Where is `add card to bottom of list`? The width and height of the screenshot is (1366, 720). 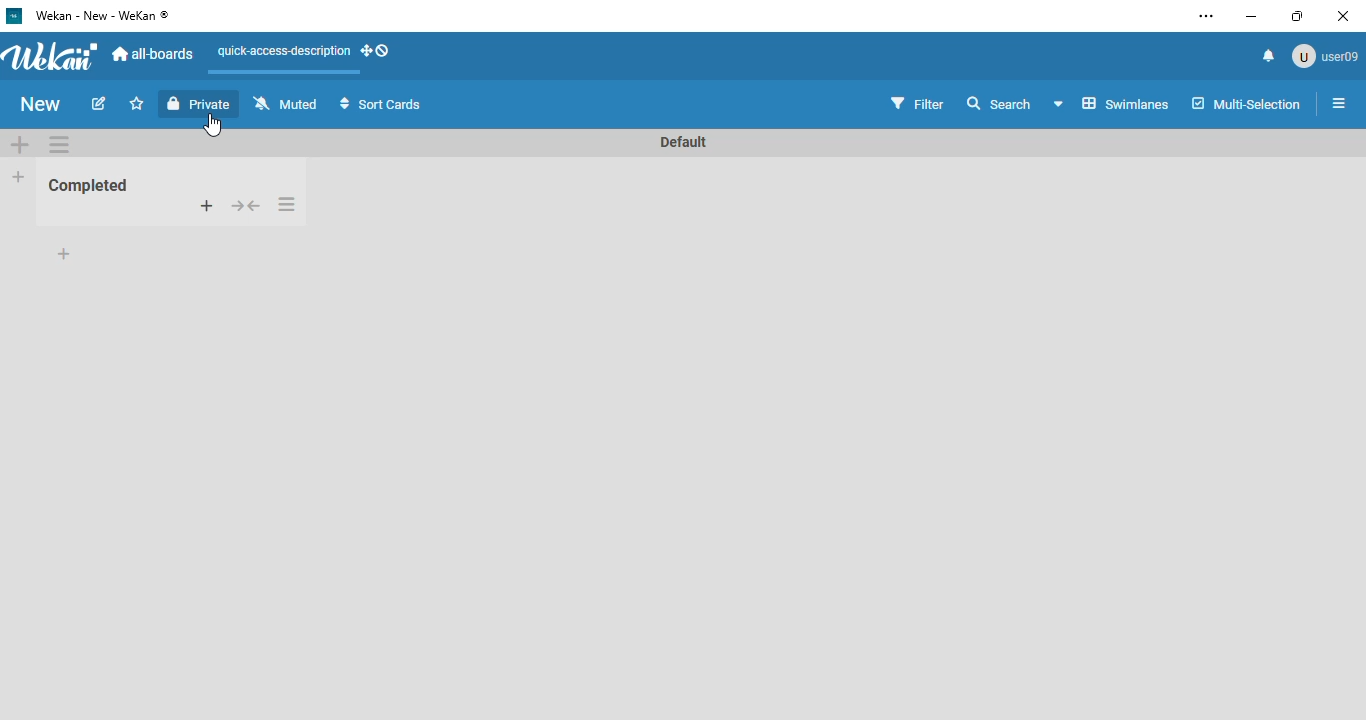 add card to bottom of list is located at coordinates (65, 256).